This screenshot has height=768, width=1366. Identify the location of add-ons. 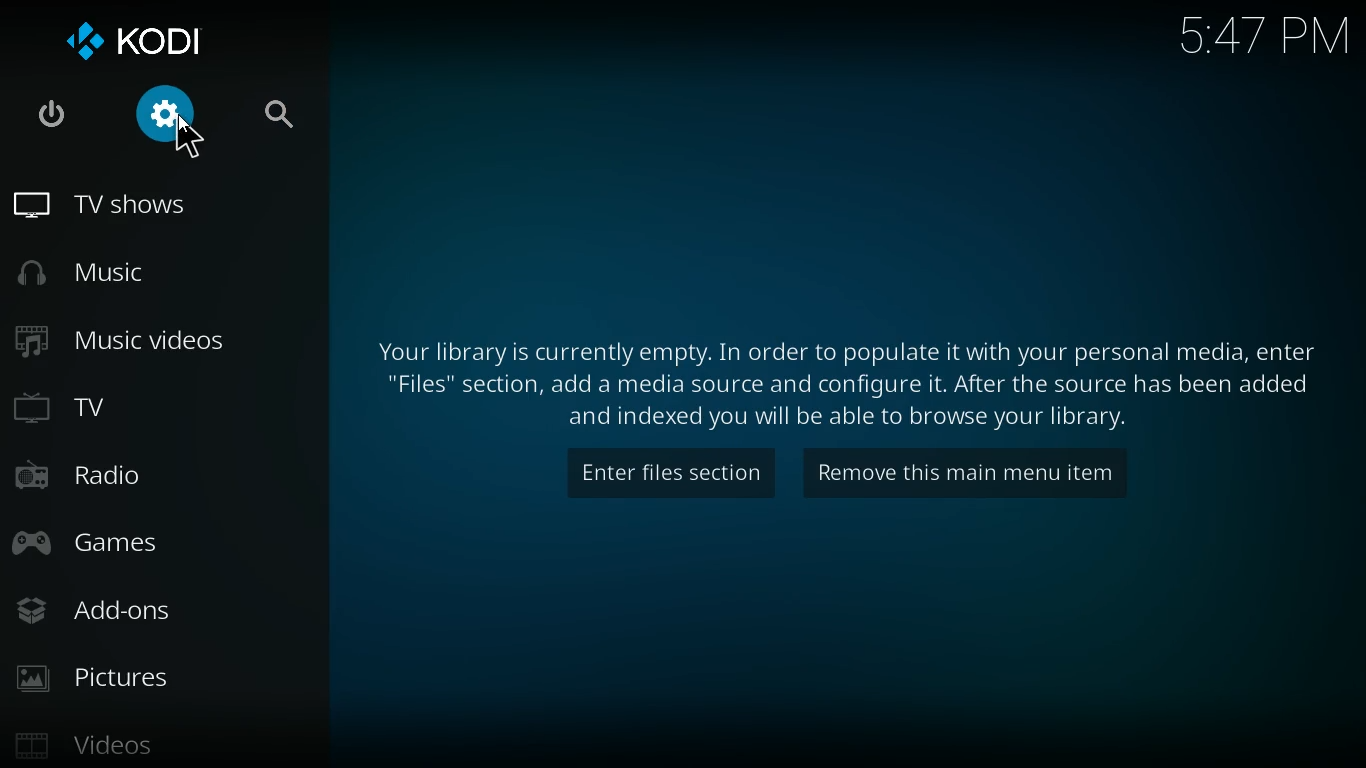
(161, 609).